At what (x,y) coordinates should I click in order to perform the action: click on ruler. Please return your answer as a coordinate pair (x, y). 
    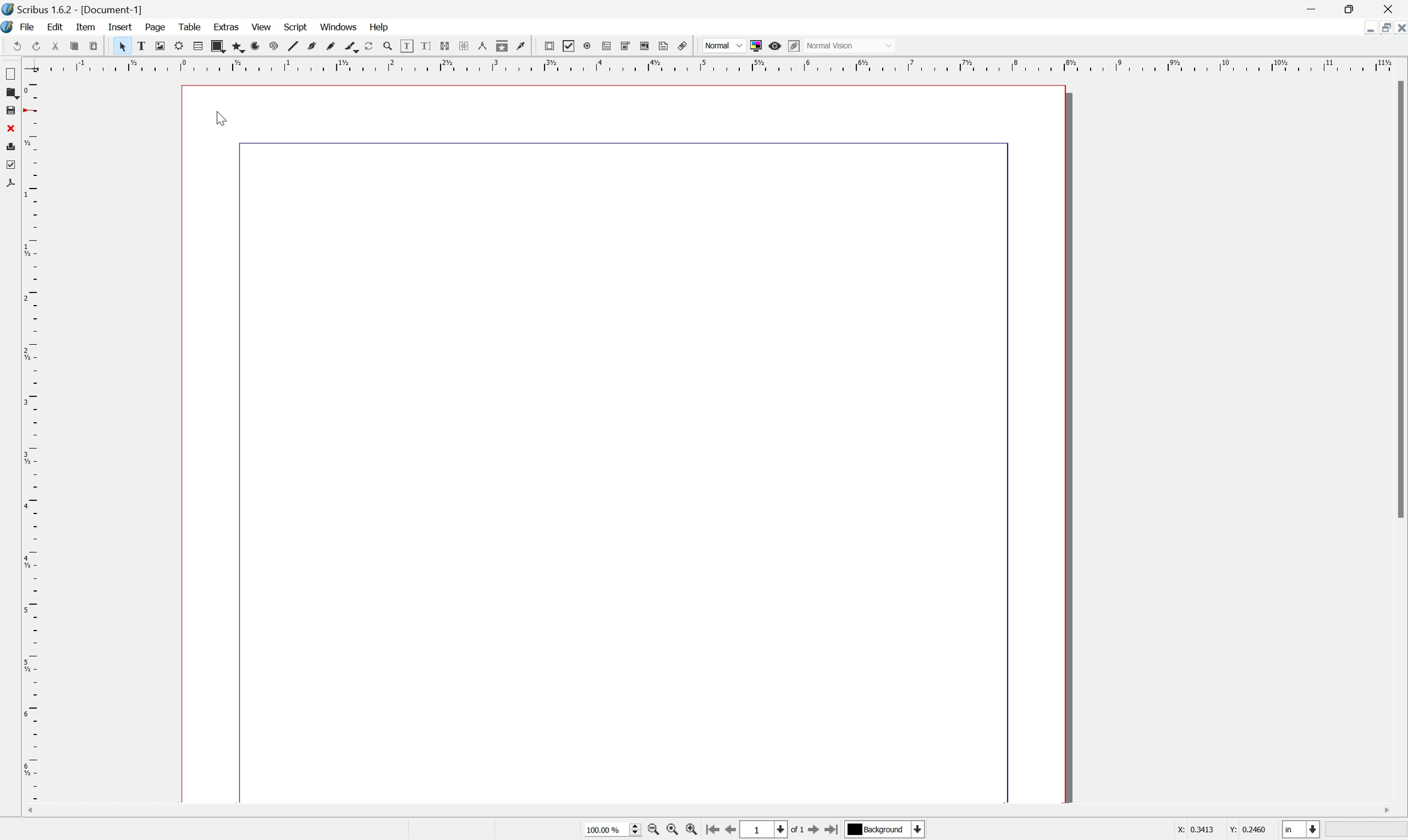
    Looking at the image, I should click on (711, 63).